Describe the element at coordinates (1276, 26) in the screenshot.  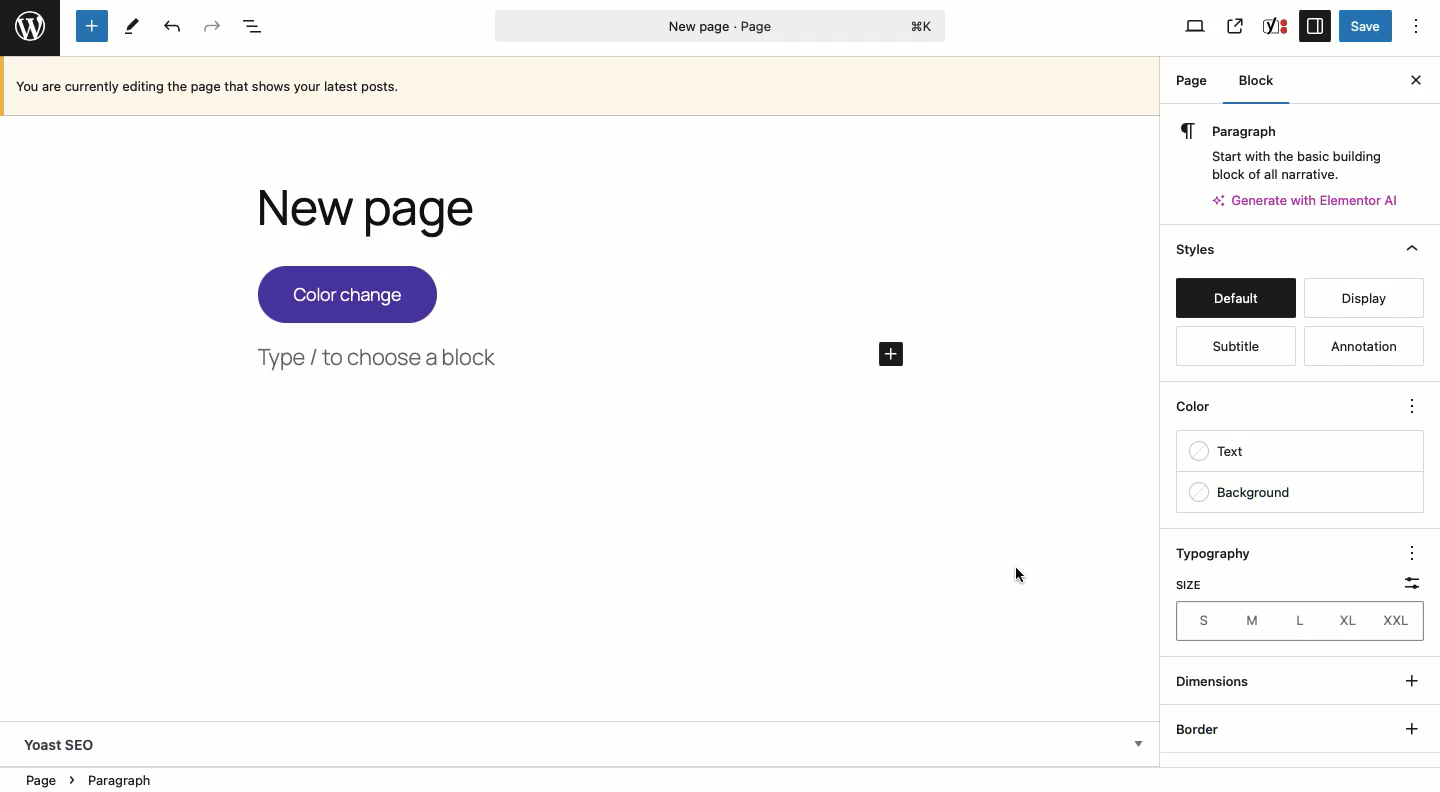
I see `SEO` at that location.